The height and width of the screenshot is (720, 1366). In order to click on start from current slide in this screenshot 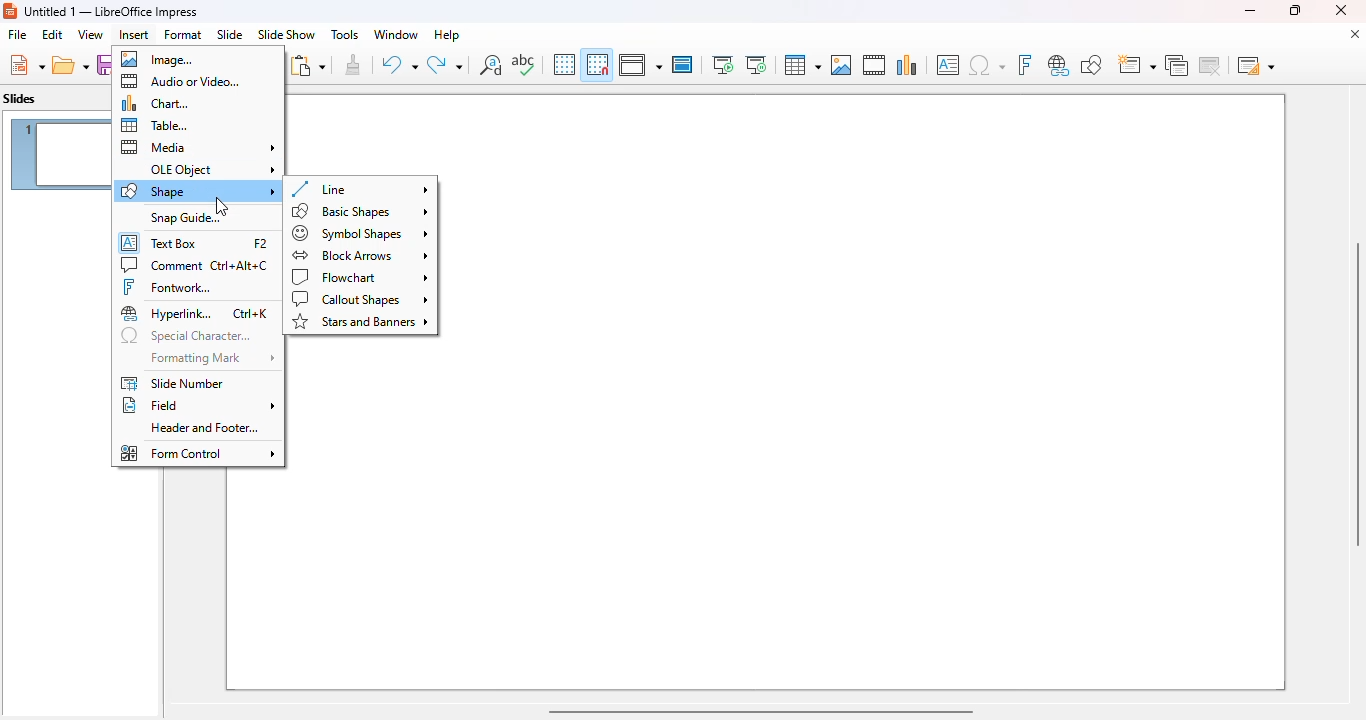, I will do `click(756, 65)`.